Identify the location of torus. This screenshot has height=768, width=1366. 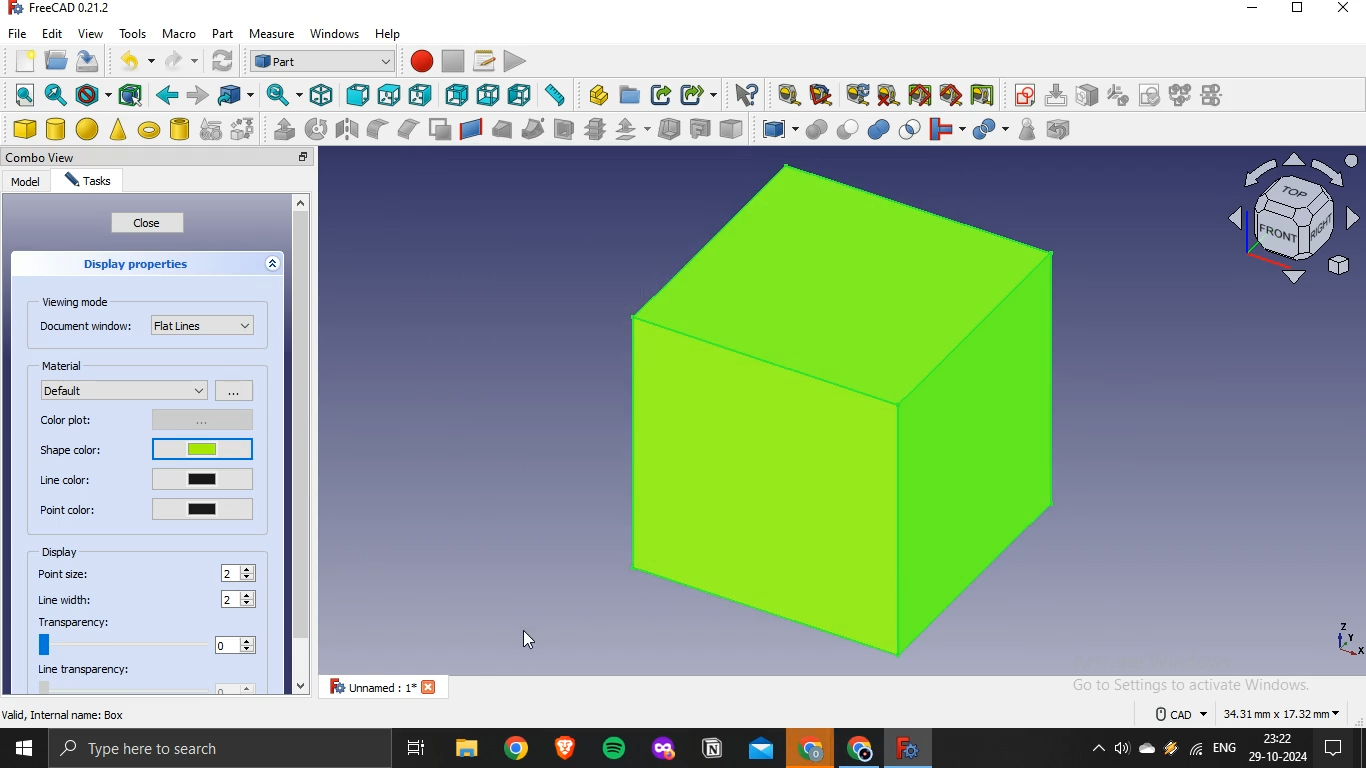
(149, 130).